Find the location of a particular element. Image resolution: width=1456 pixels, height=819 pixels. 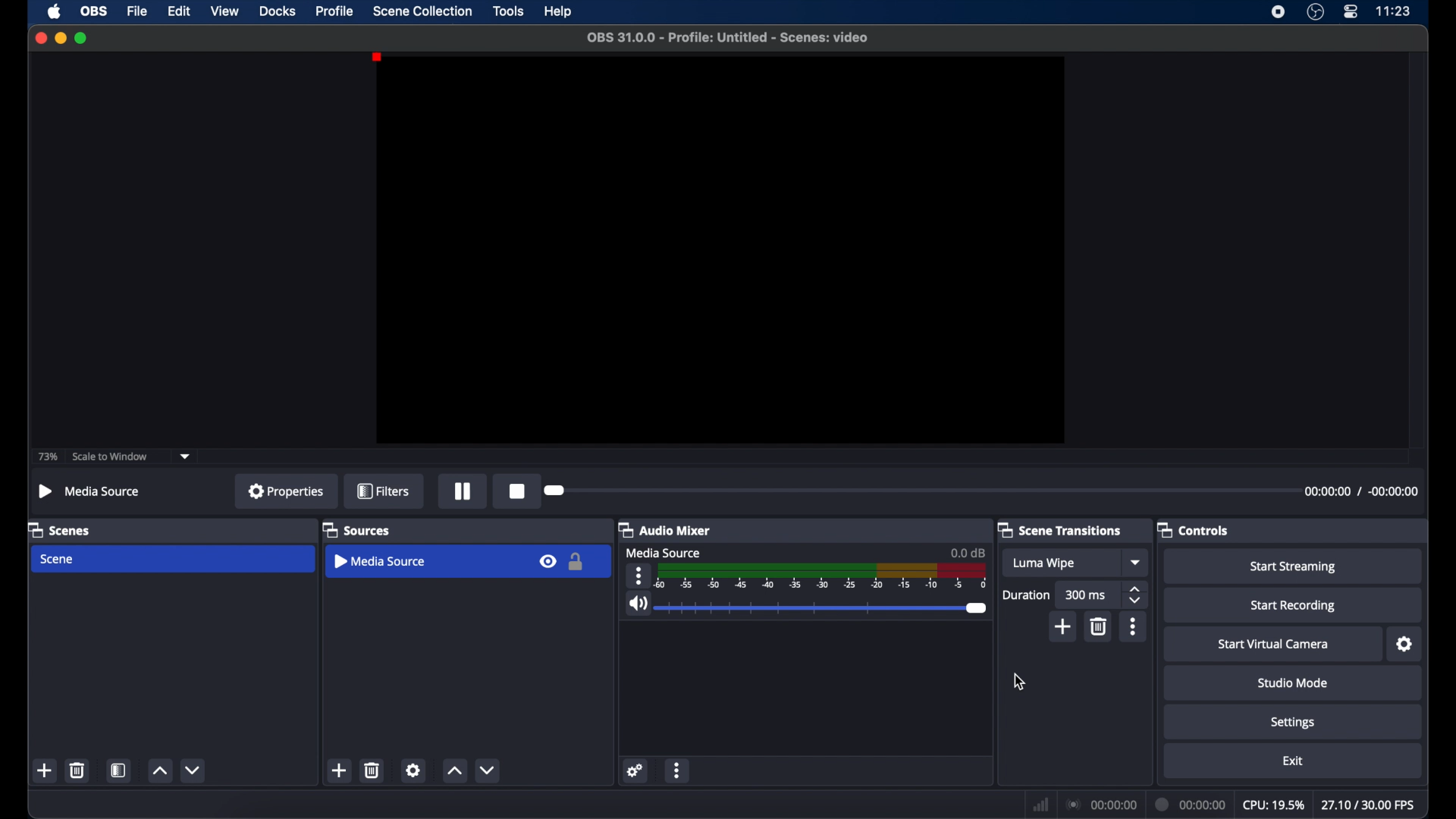

delete is located at coordinates (372, 770).